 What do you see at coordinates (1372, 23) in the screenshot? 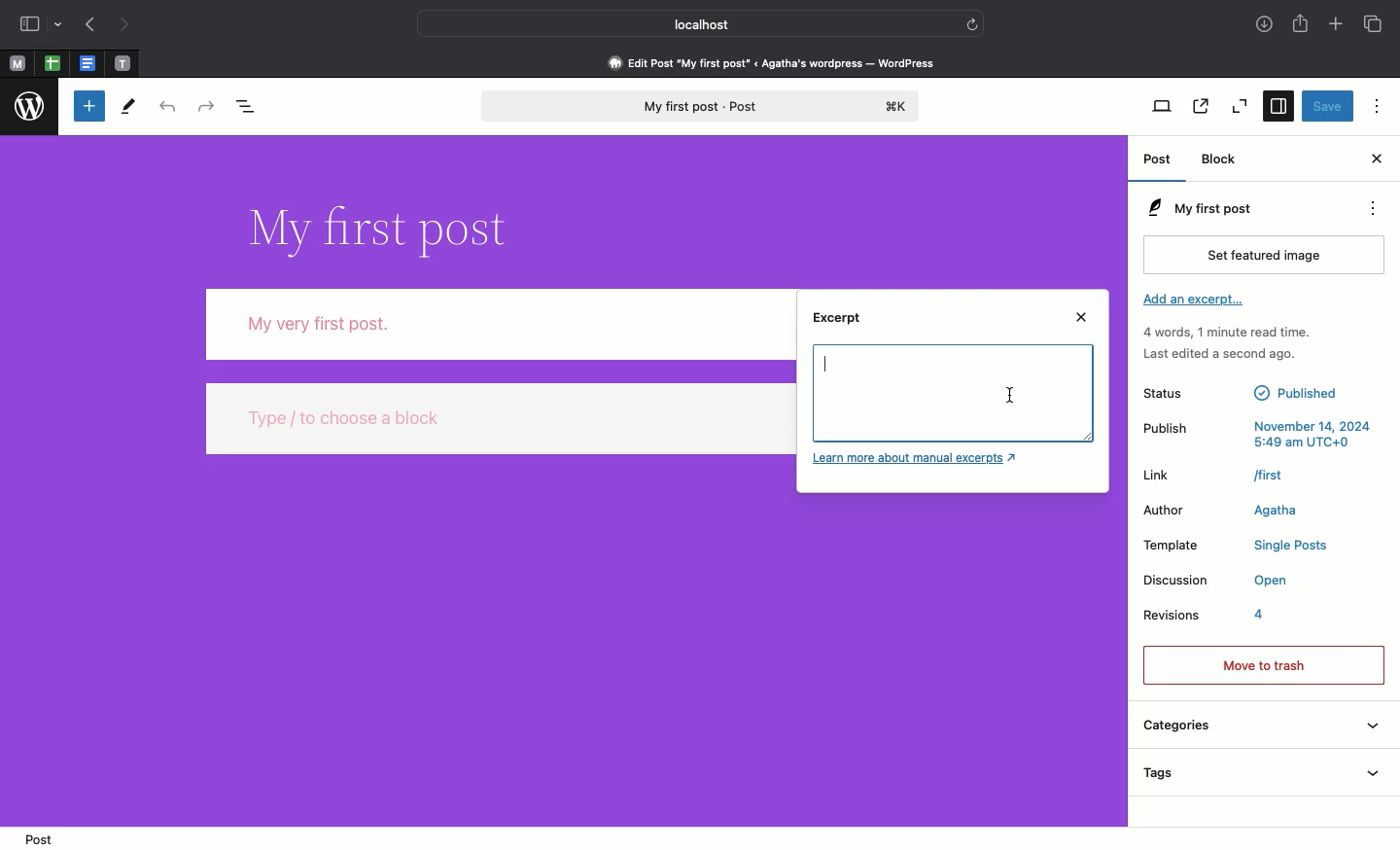
I see `Tabs` at bounding box center [1372, 23].